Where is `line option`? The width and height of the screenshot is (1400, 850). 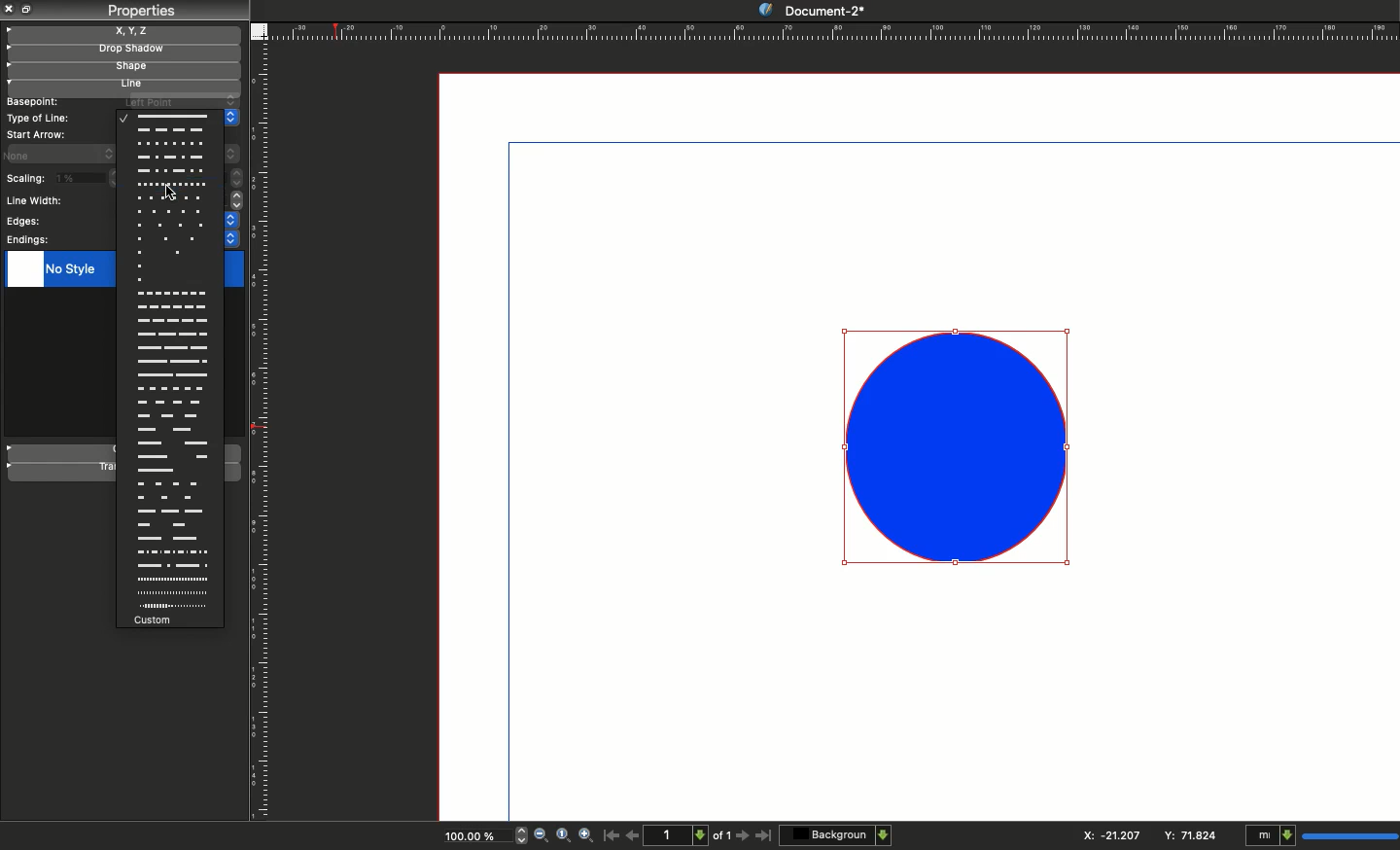
line option is located at coordinates (171, 197).